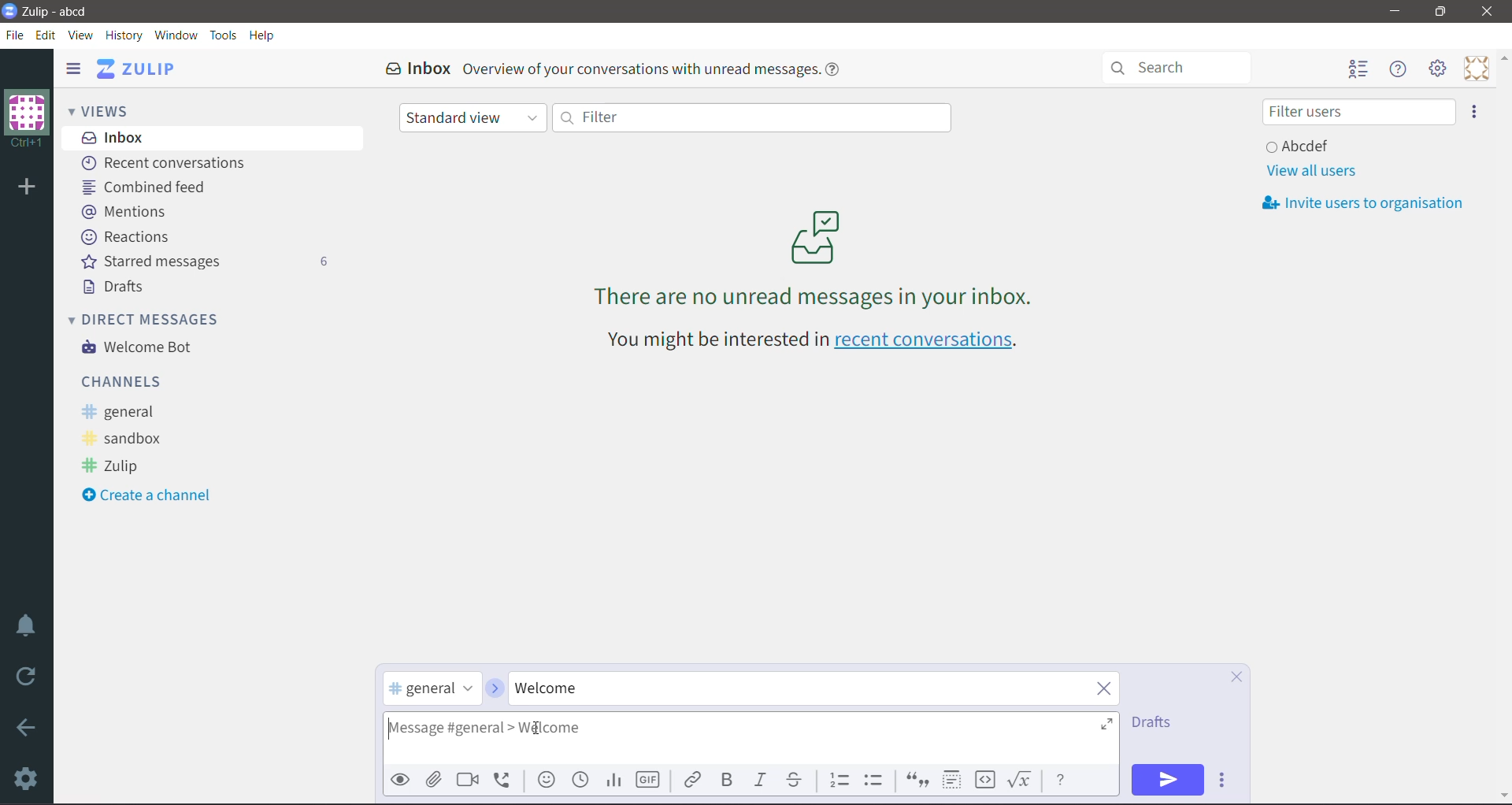  What do you see at coordinates (150, 187) in the screenshot?
I see `Combined feed` at bounding box center [150, 187].